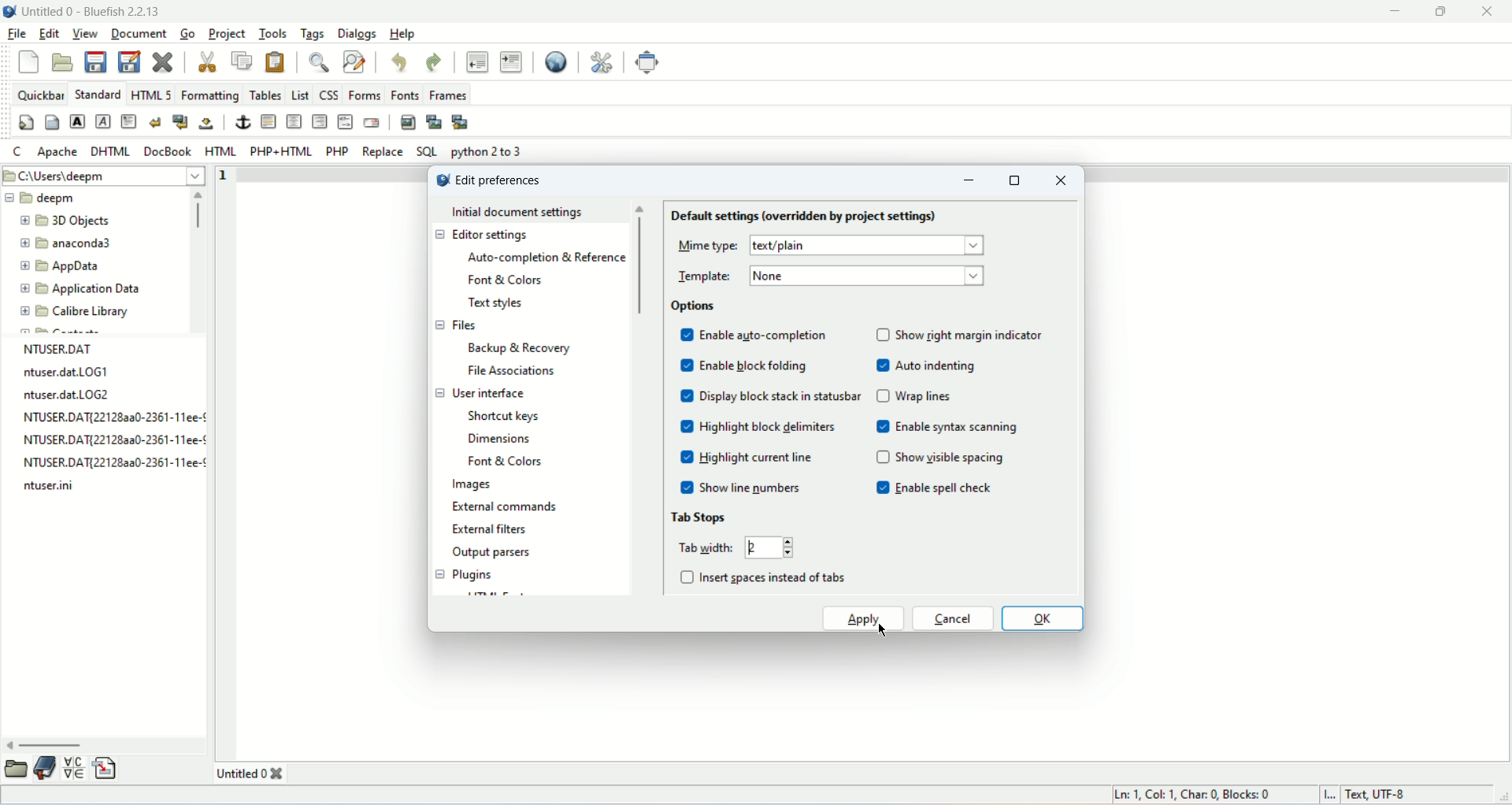  What do you see at coordinates (83, 221) in the screenshot?
I see `3D Objects` at bounding box center [83, 221].